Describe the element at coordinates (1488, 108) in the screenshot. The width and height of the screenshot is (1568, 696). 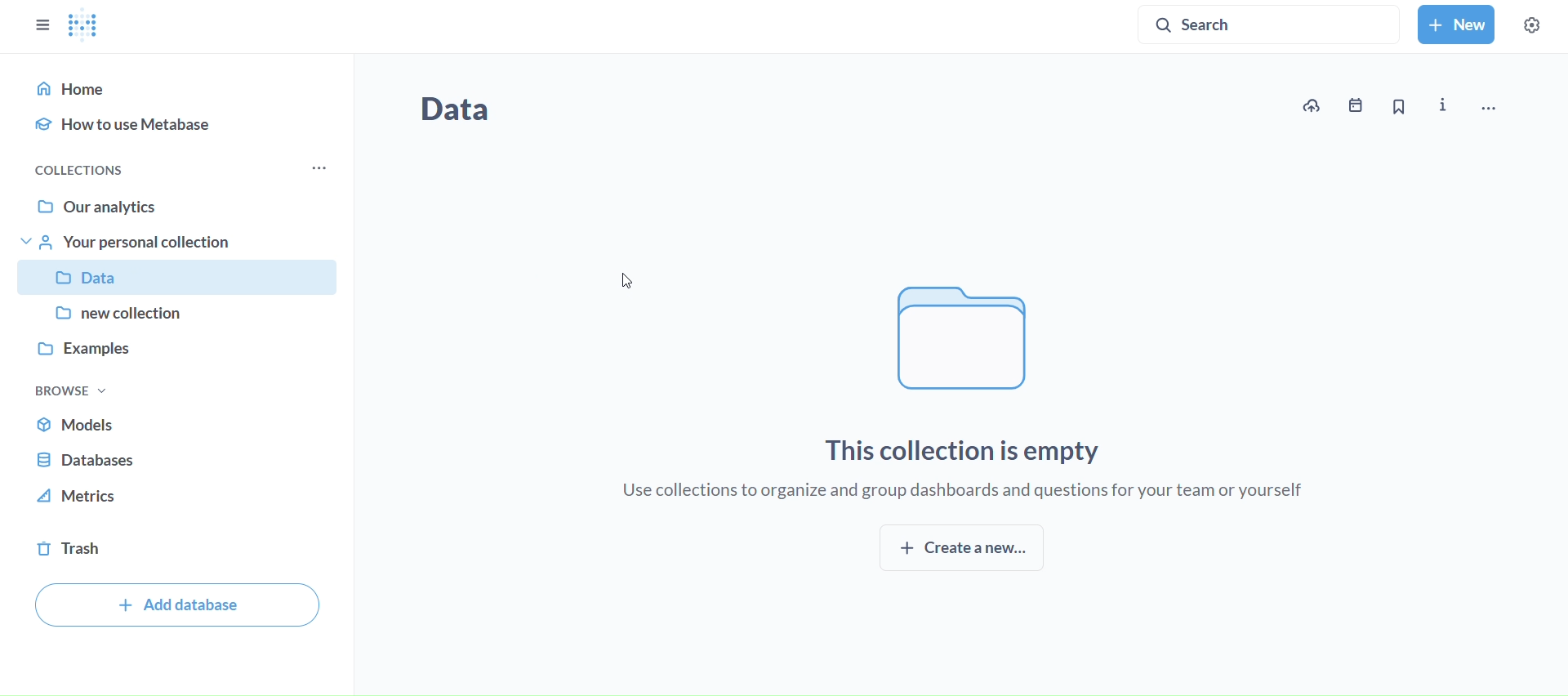
I see `move, trash, and more..` at that location.